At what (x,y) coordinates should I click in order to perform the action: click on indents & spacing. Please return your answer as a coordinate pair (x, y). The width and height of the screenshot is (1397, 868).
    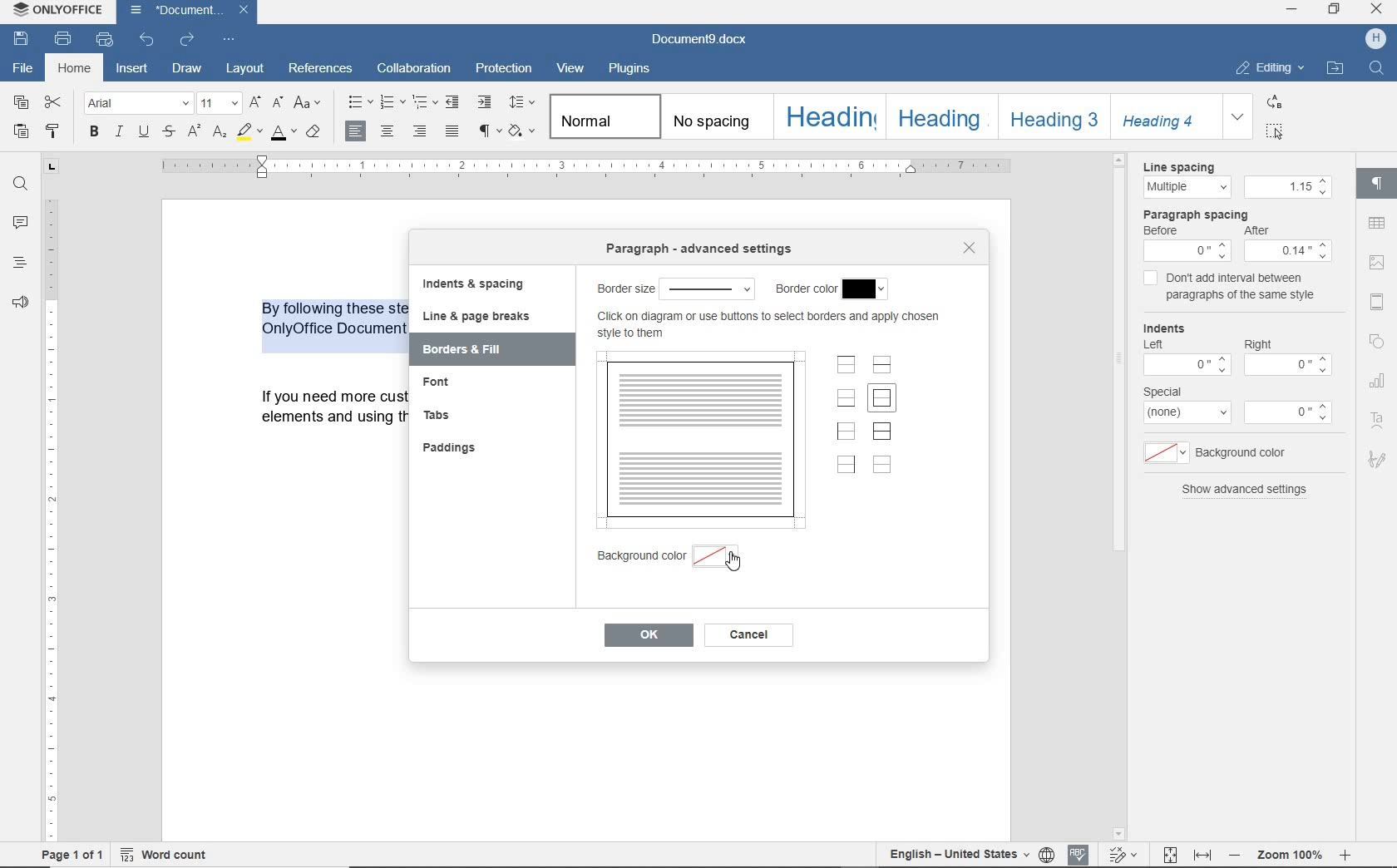
    Looking at the image, I should click on (473, 284).